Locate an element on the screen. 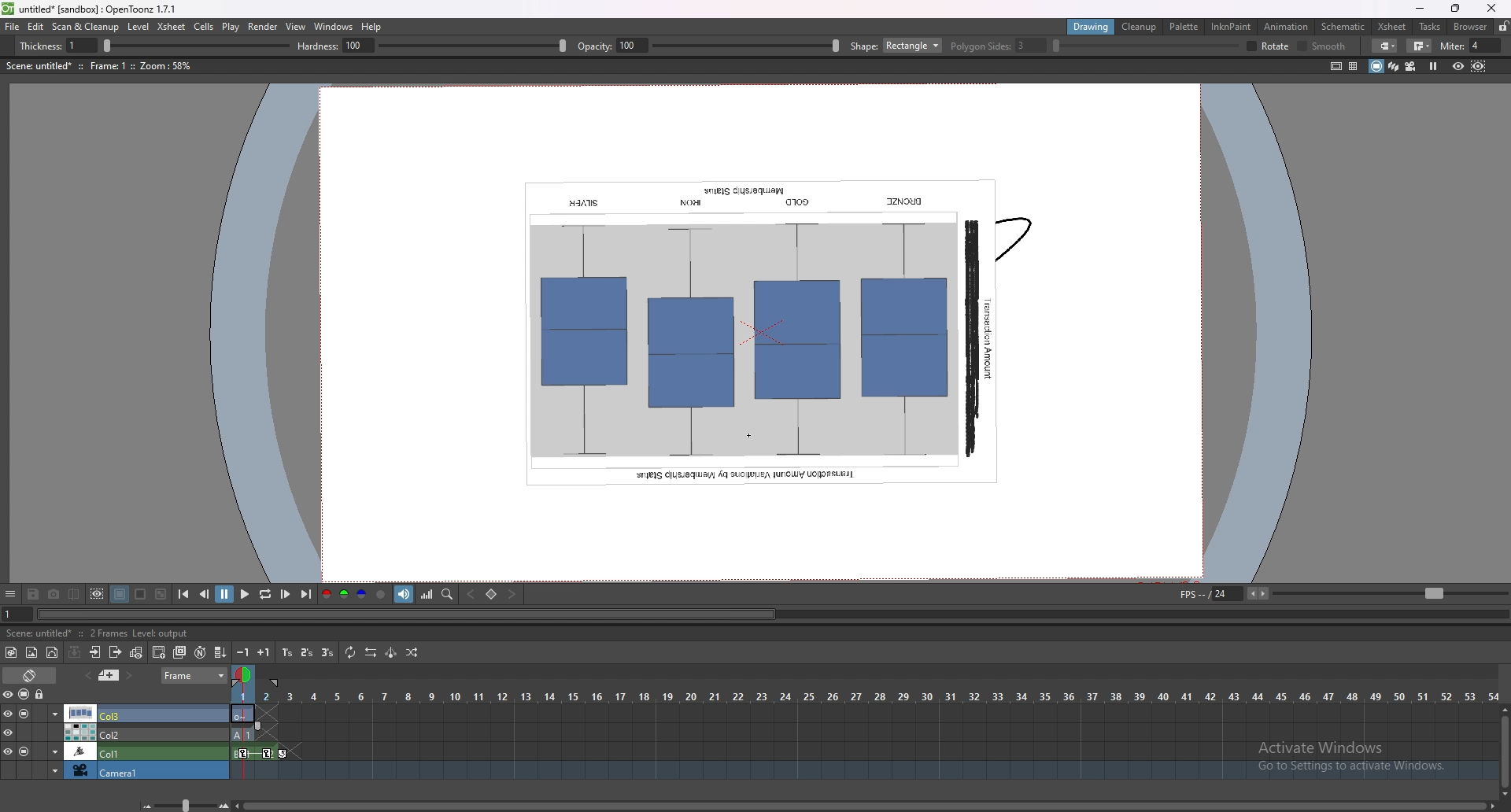  toggle timeline is located at coordinates (31, 674).